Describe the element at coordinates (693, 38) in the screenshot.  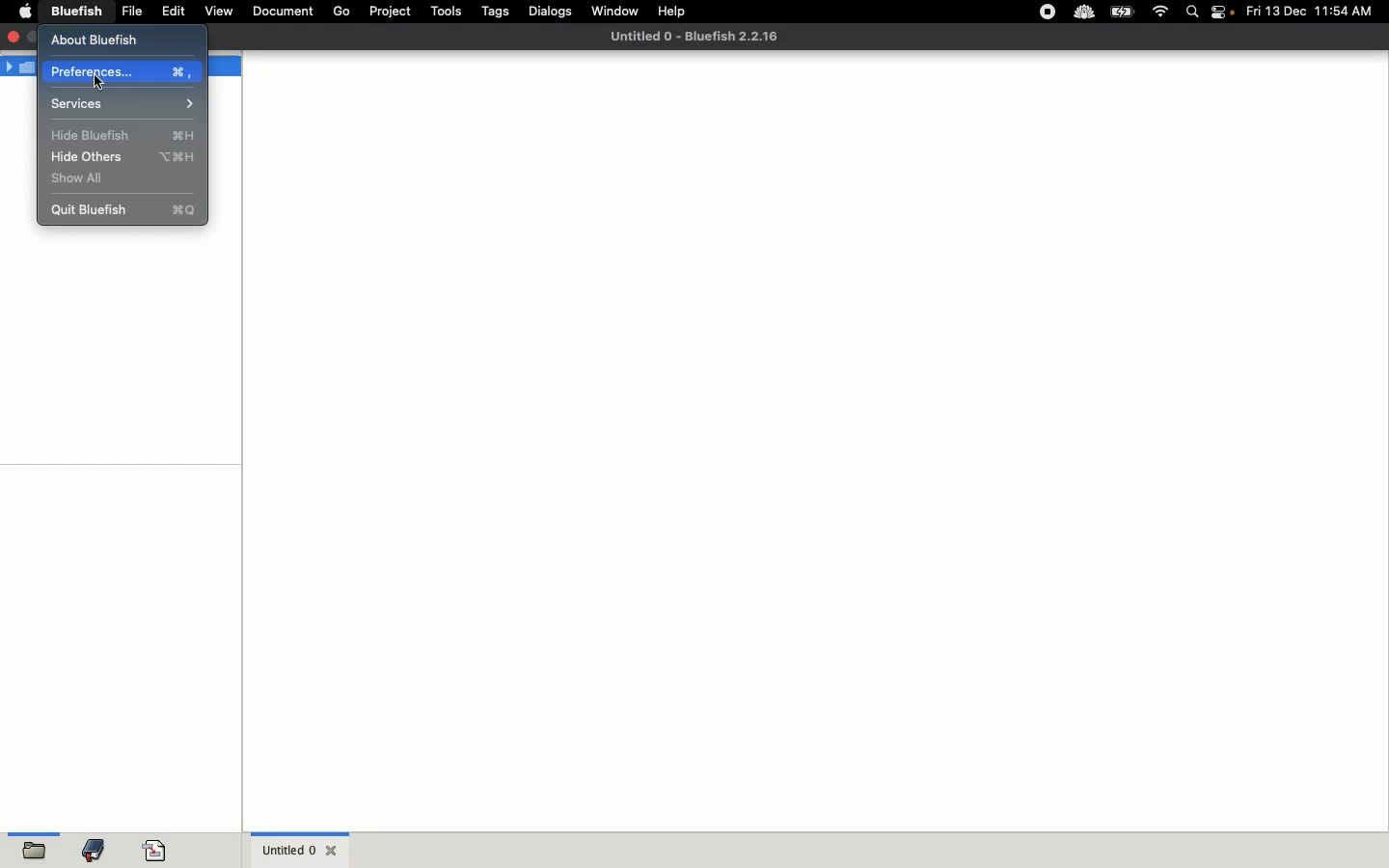
I see `Untitled` at that location.